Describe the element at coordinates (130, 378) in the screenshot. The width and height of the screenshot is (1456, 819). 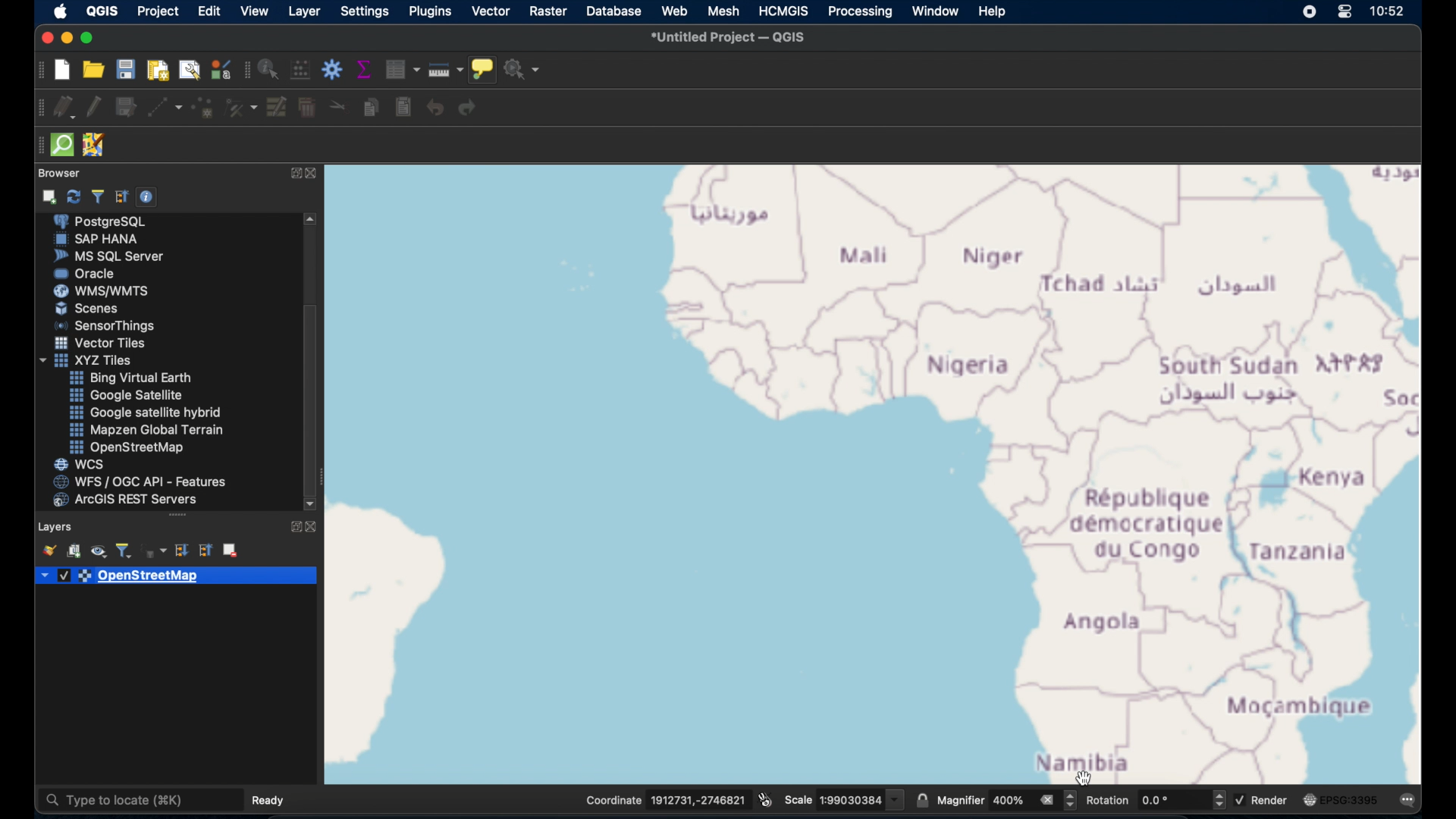
I see `` at that location.